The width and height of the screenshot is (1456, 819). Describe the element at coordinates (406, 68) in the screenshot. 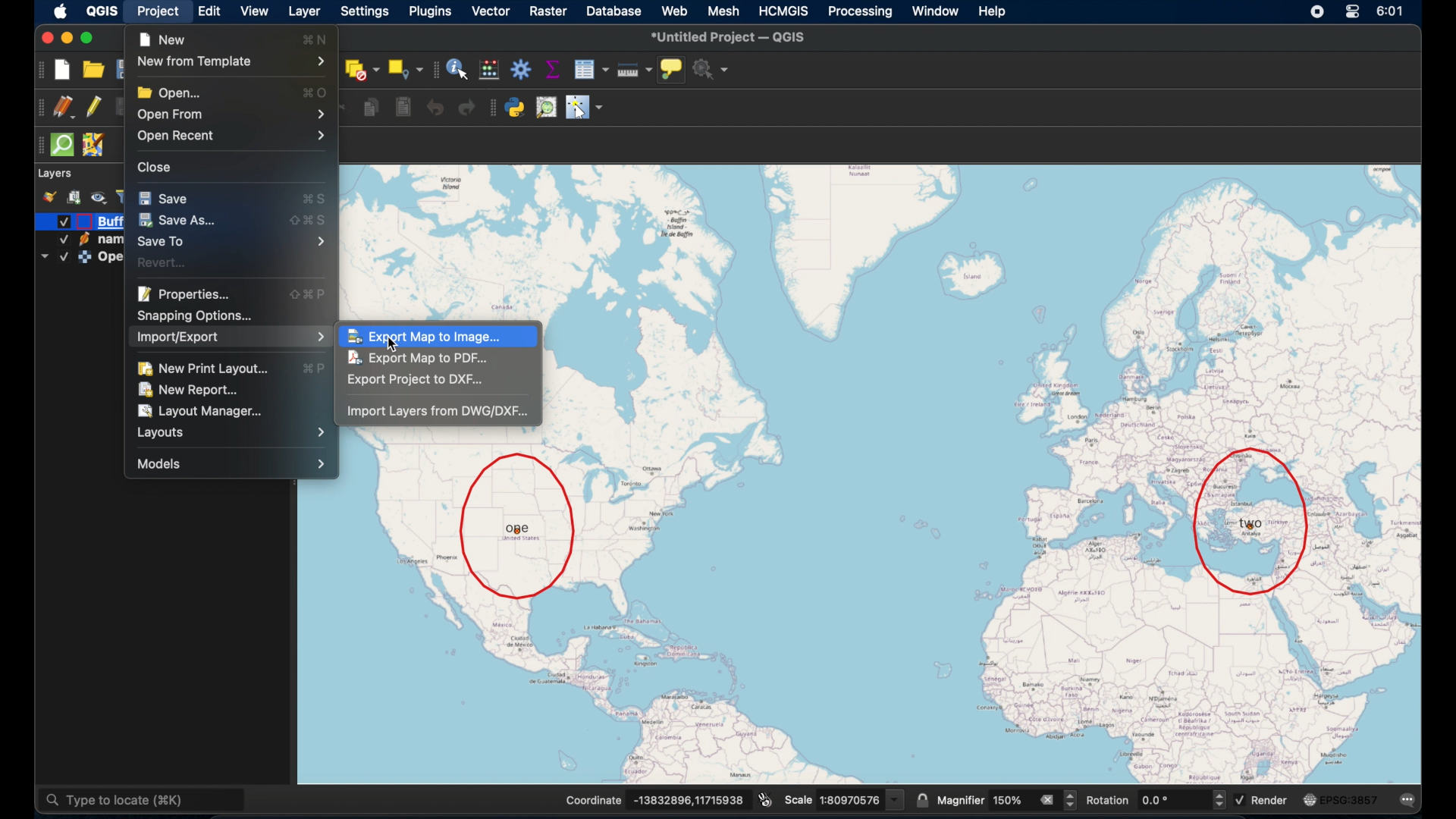

I see `select by location` at that location.